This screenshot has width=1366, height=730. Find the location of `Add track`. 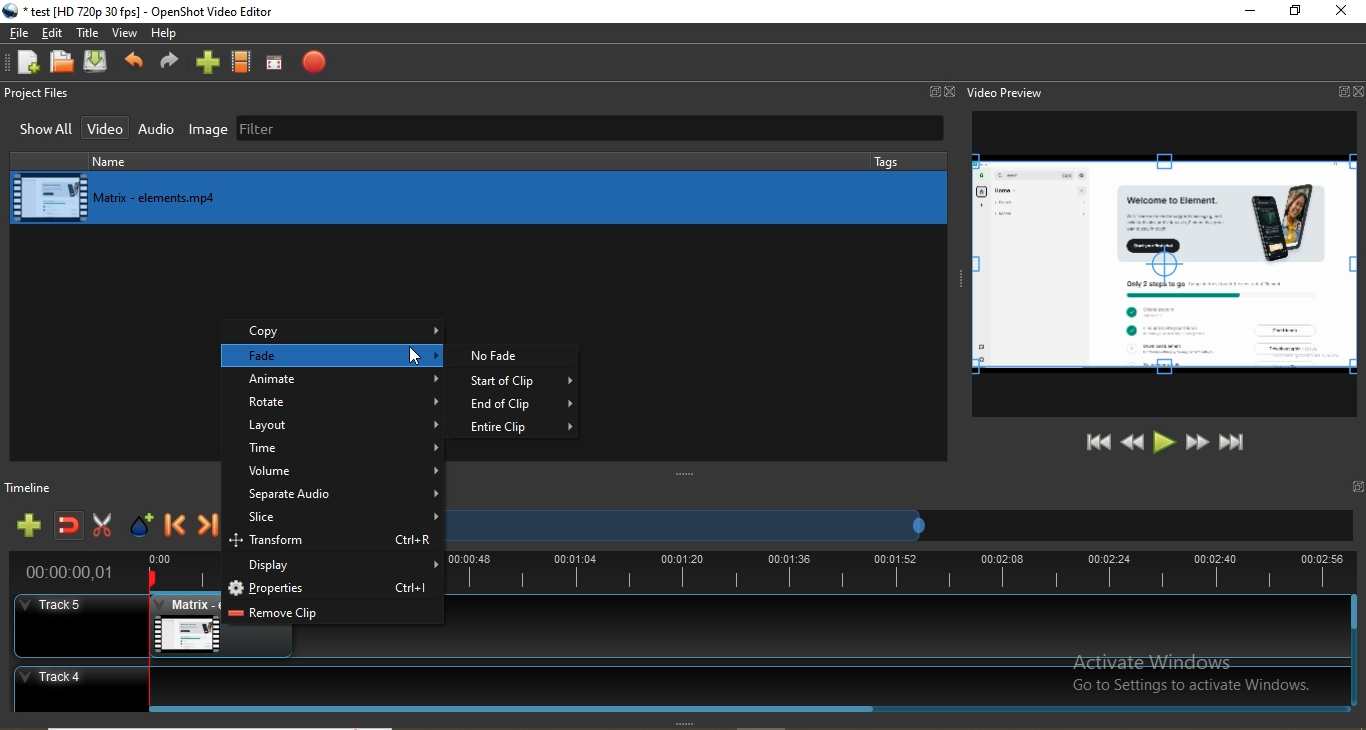

Add track is located at coordinates (30, 525).